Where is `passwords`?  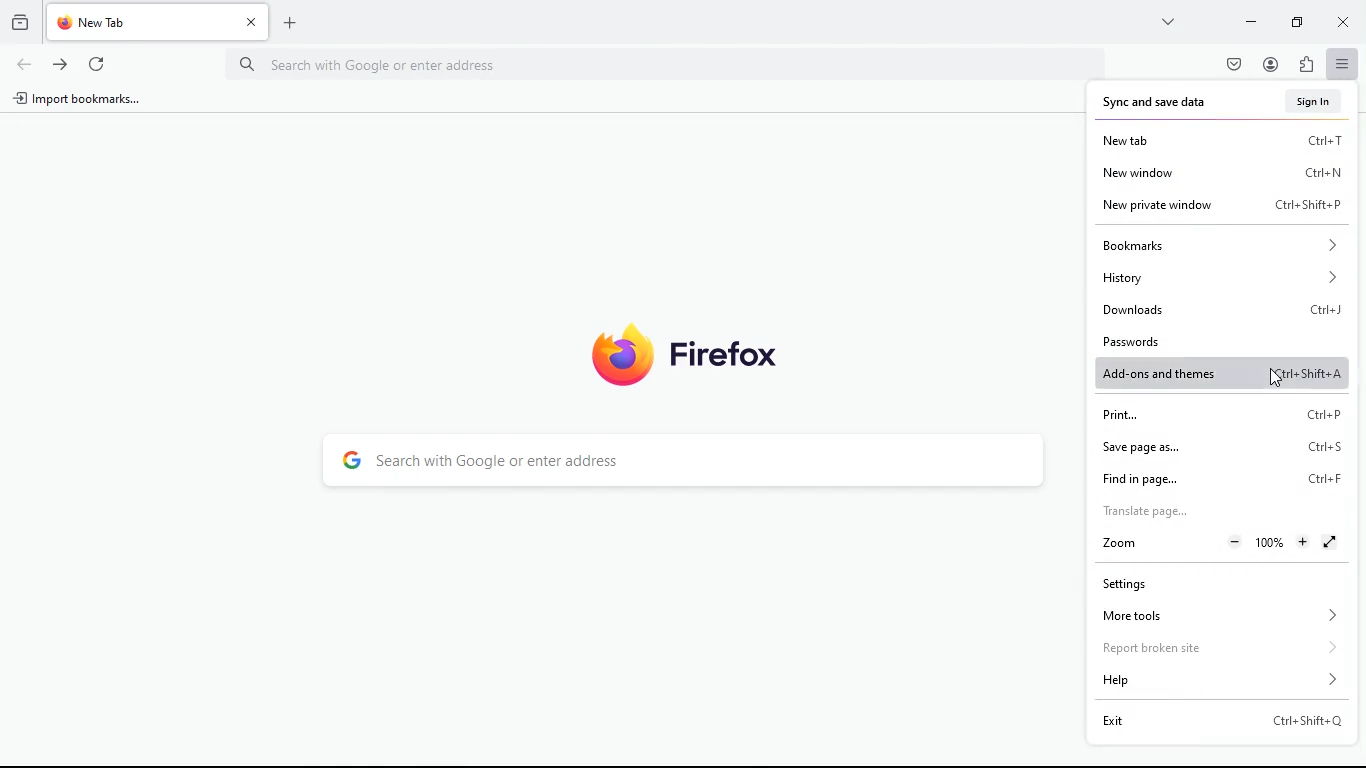 passwords is located at coordinates (1212, 340).